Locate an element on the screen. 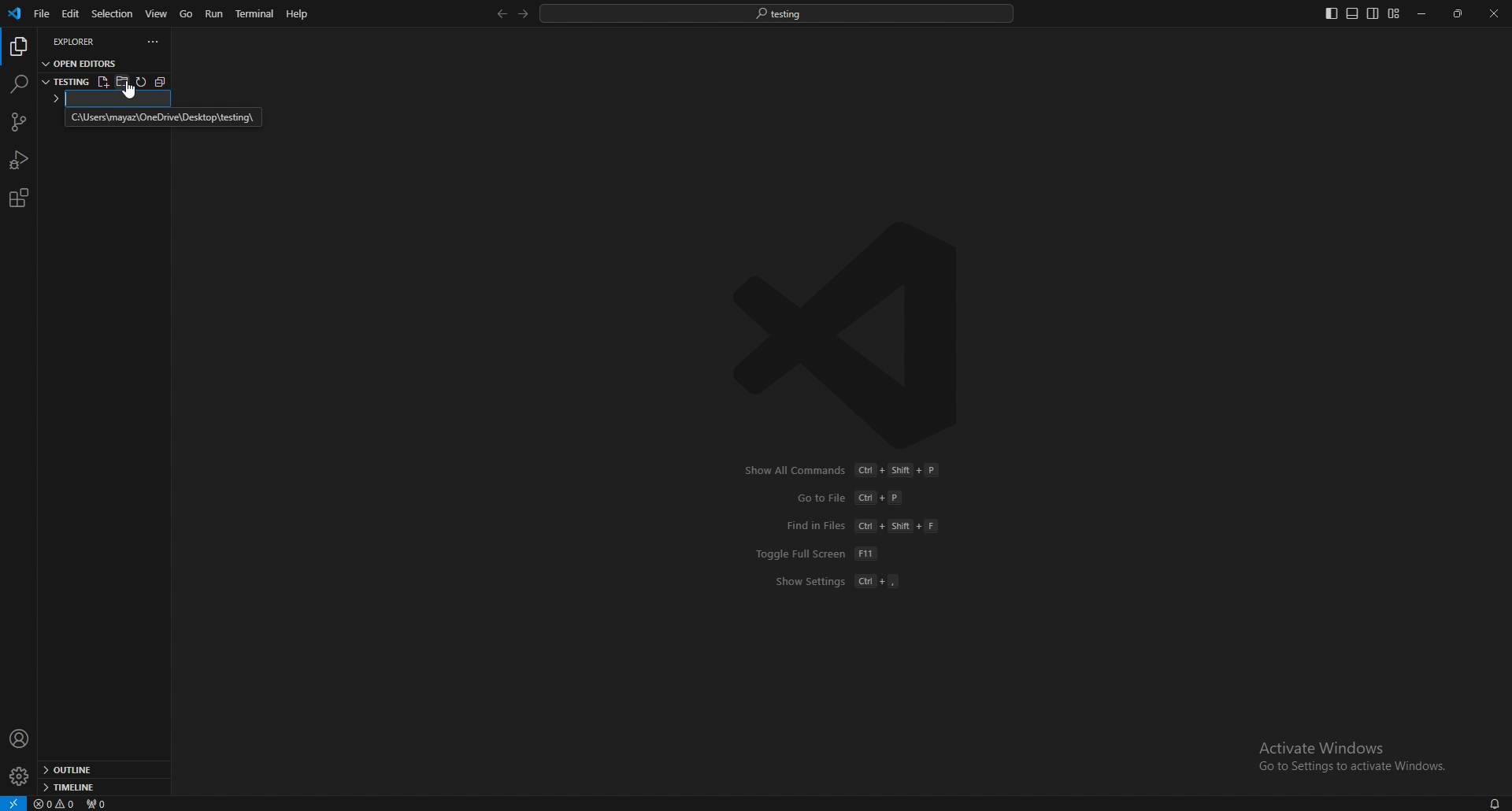  view is located at coordinates (157, 13).